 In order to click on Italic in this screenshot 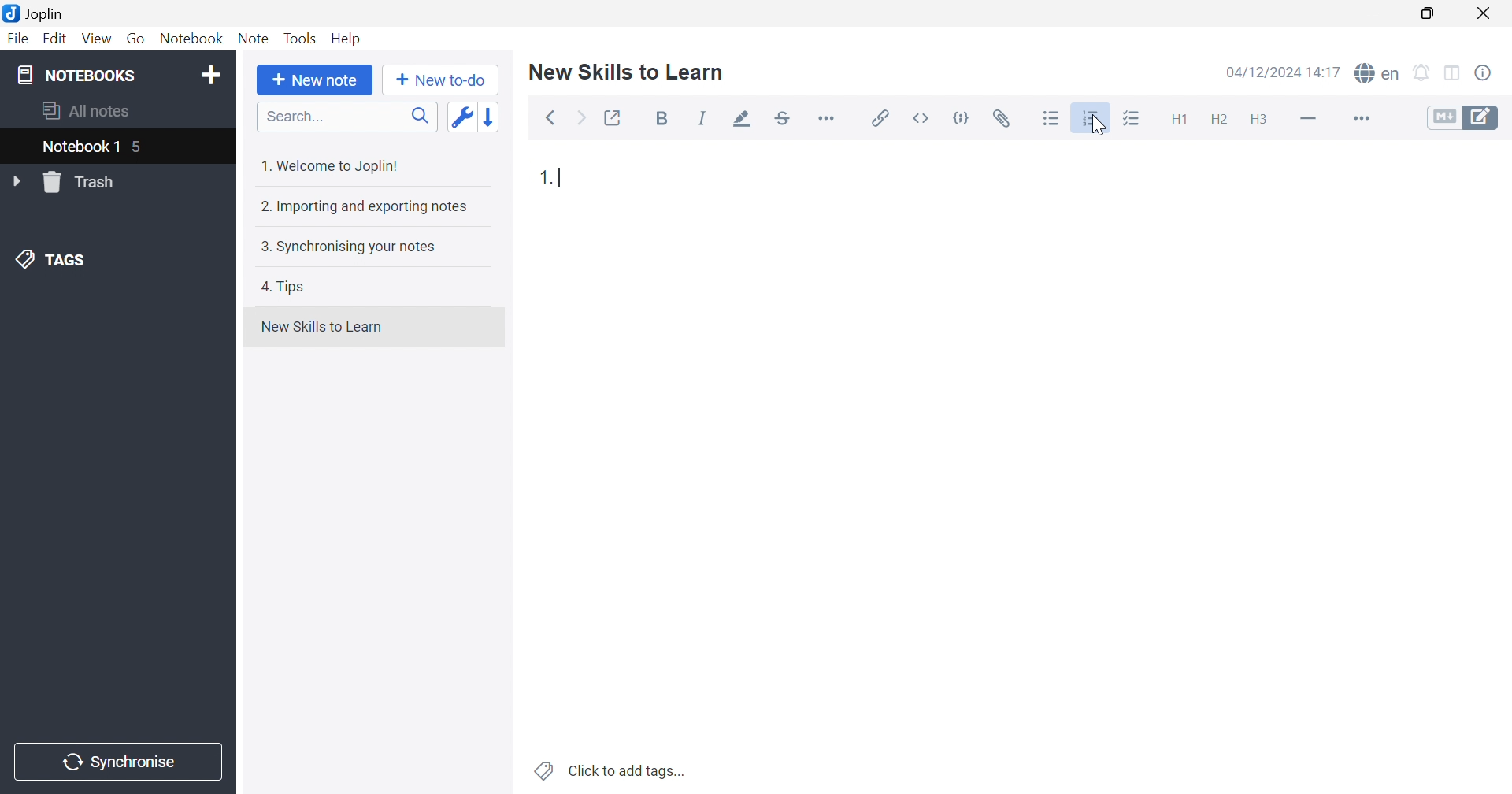, I will do `click(702, 118)`.